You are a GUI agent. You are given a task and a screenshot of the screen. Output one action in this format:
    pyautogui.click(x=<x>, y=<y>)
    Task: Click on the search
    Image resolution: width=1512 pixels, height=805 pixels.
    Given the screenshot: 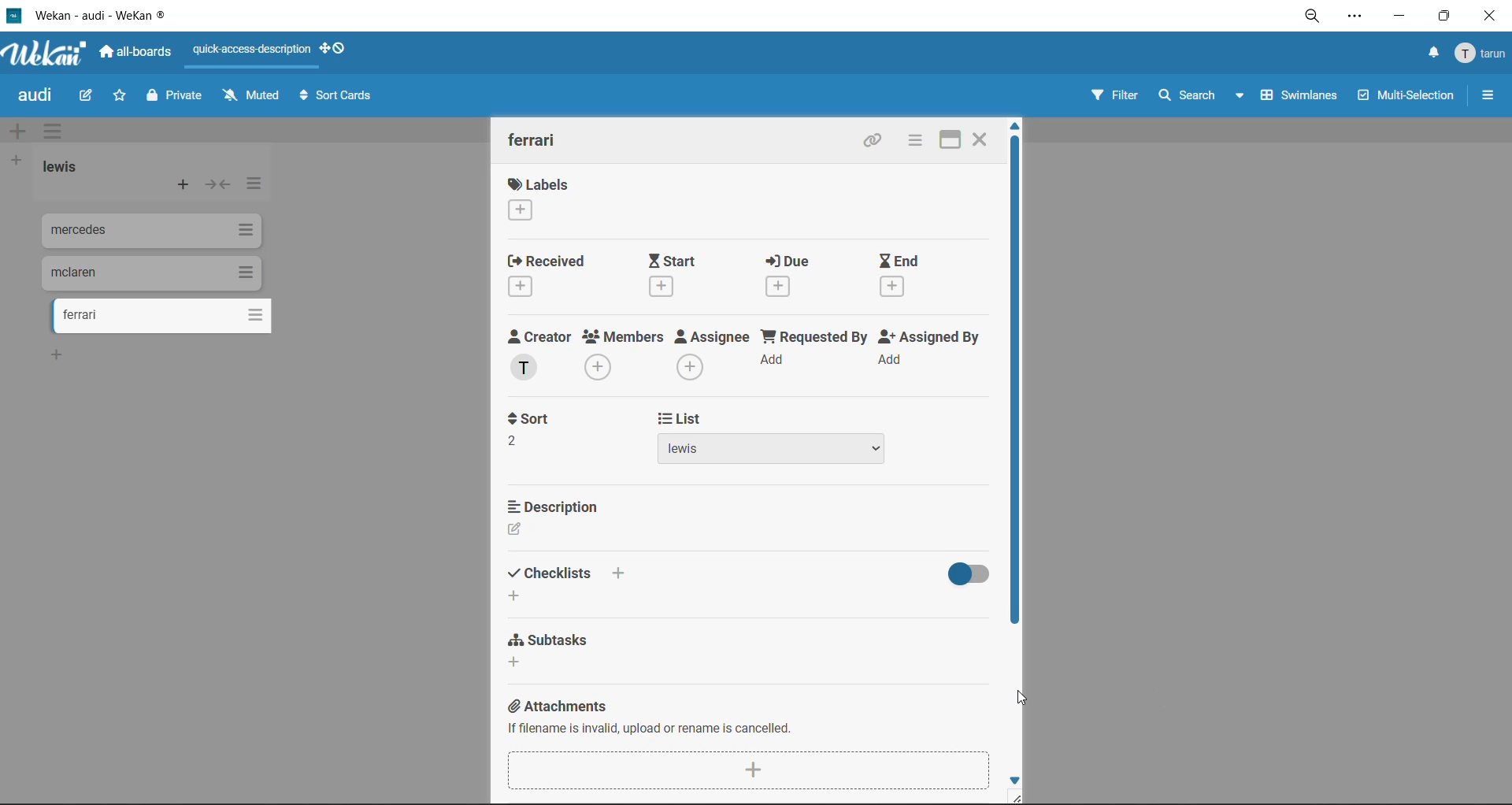 What is the action you would take?
    pyautogui.click(x=1203, y=95)
    